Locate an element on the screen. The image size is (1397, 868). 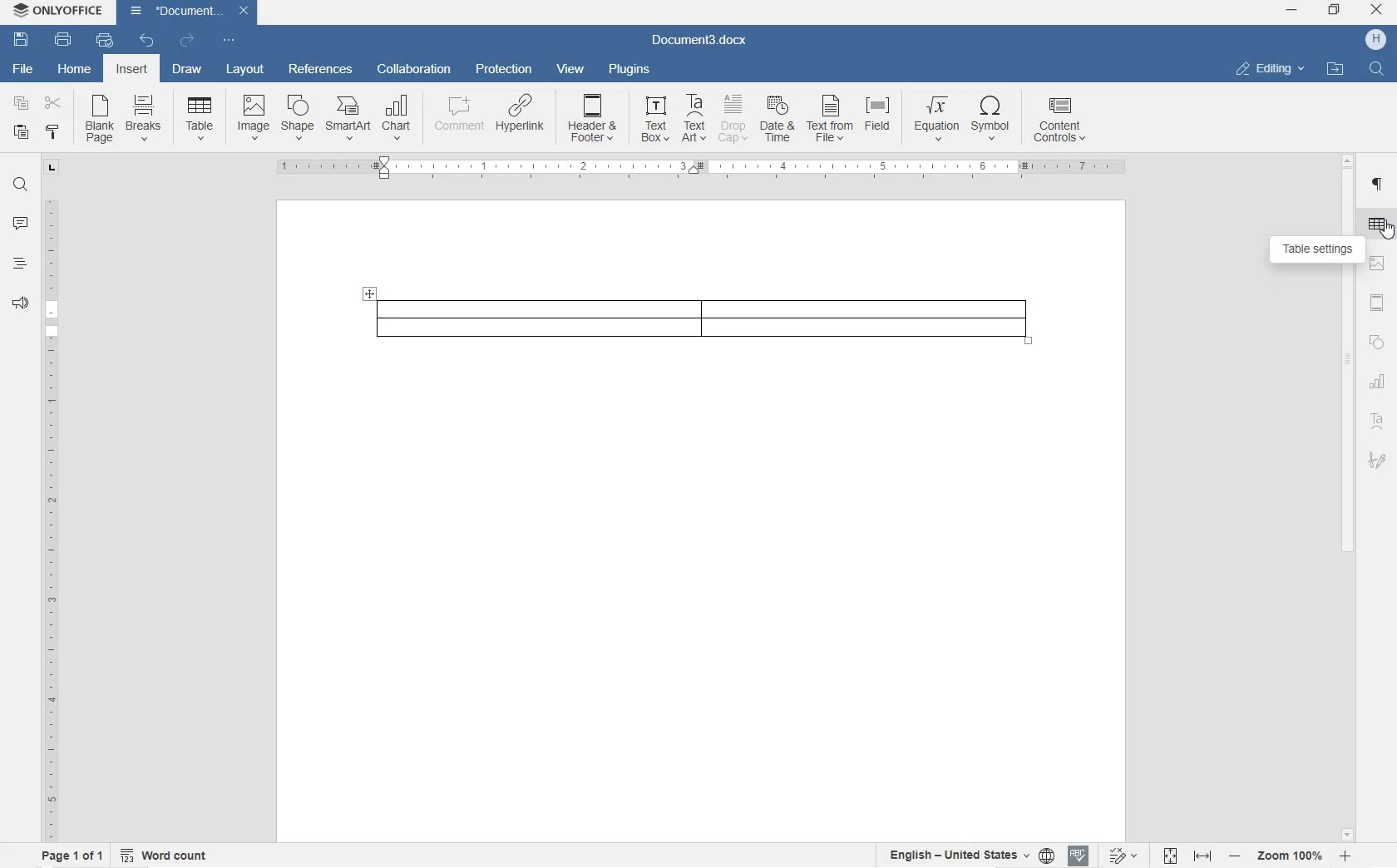
Document3.docx is located at coordinates (190, 11).